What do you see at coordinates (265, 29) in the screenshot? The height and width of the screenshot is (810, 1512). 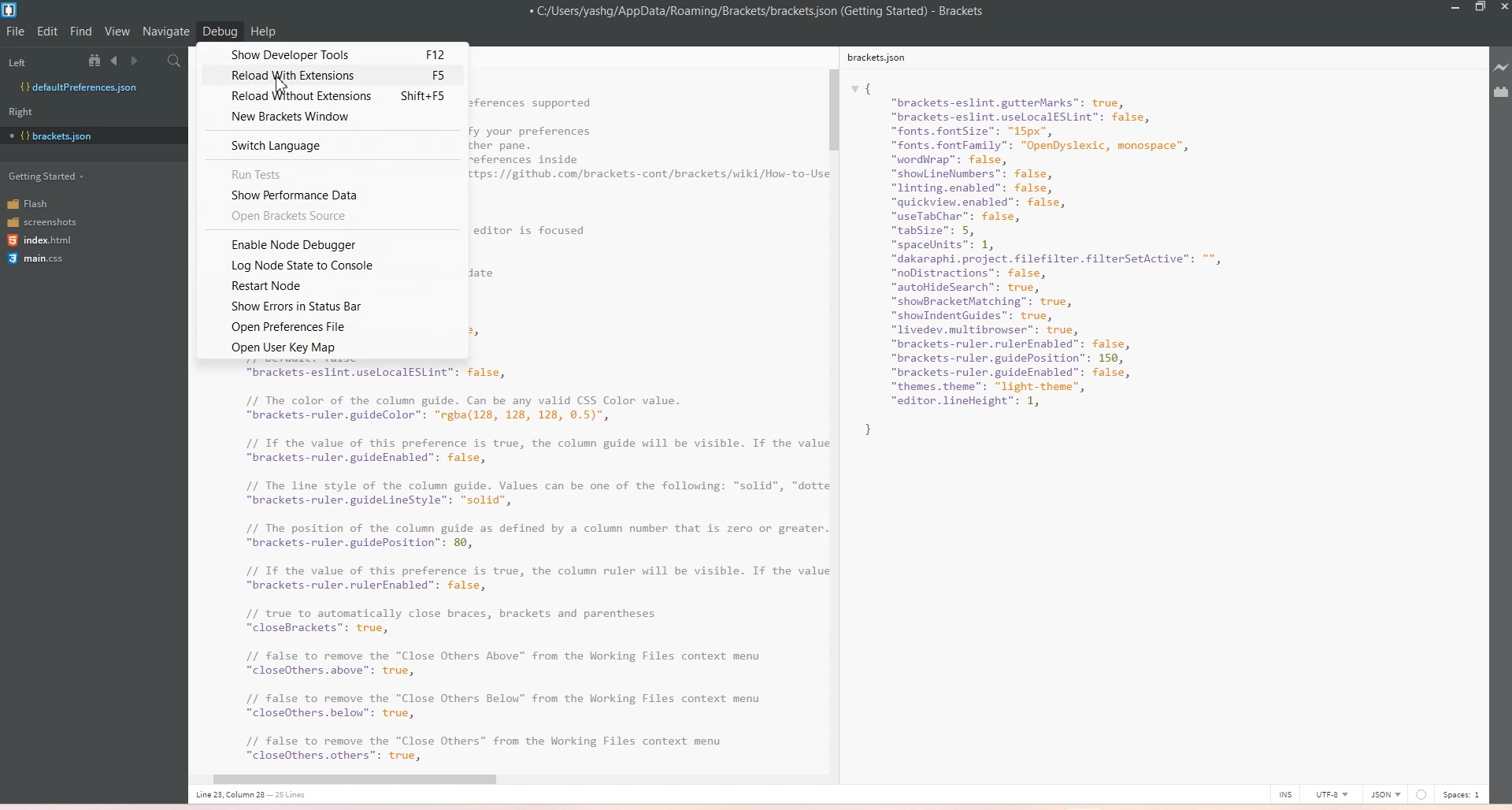 I see `Help` at bounding box center [265, 29].